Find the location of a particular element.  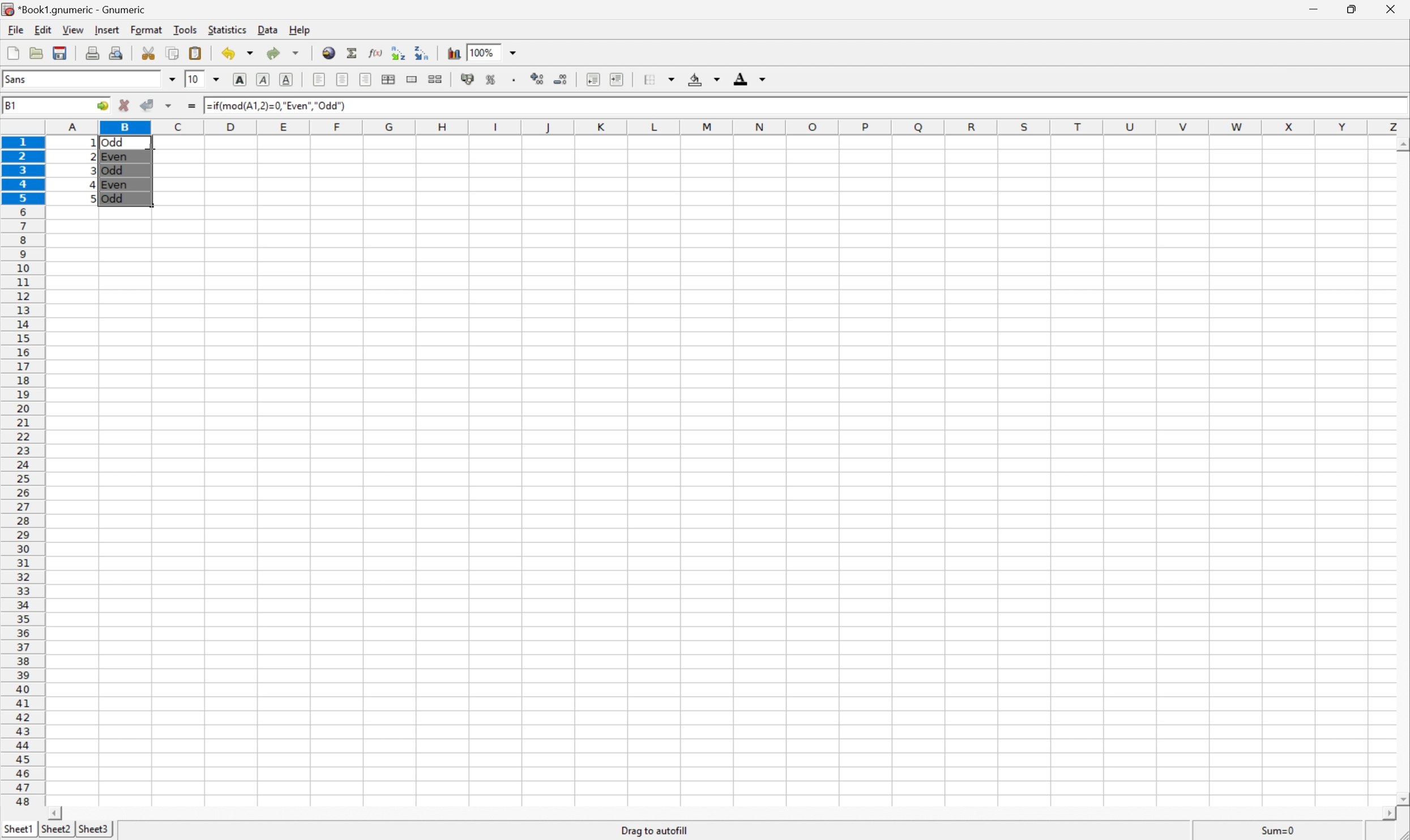

Undo is located at coordinates (239, 53).